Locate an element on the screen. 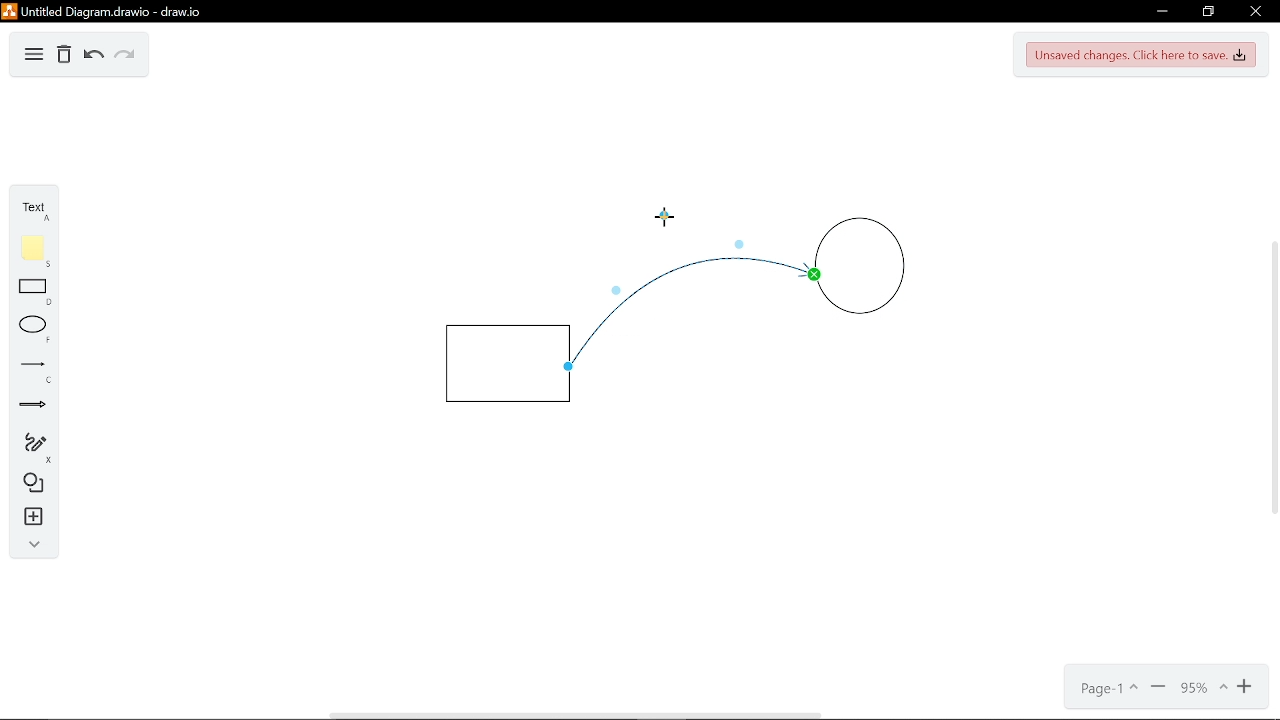 This screenshot has width=1280, height=720. Rectangle is located at coordinates (29, 292).